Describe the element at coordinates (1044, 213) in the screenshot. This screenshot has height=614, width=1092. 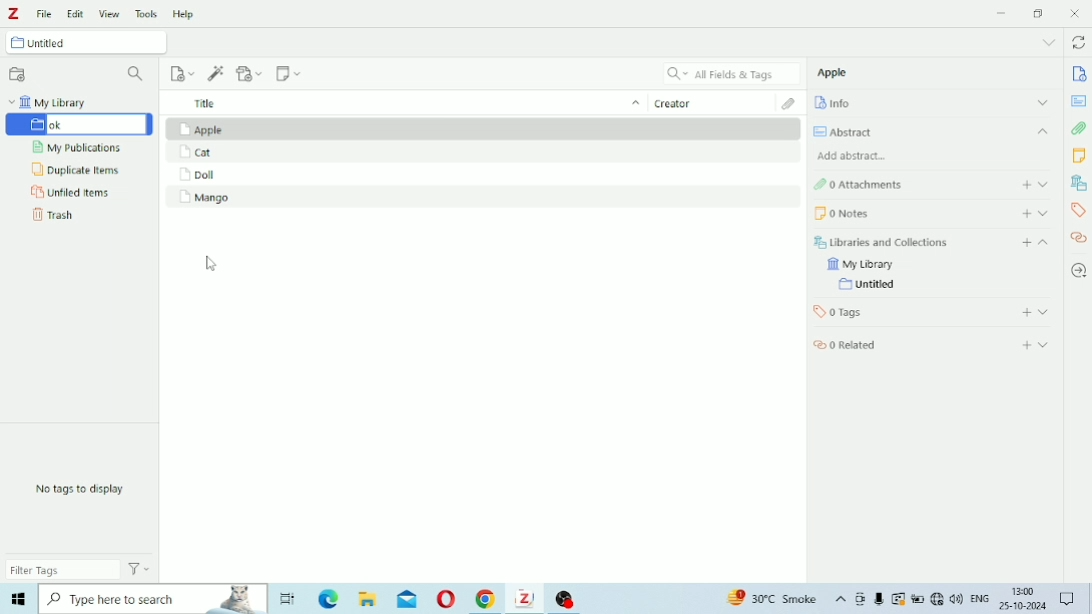
I see `Expand section` at that location.